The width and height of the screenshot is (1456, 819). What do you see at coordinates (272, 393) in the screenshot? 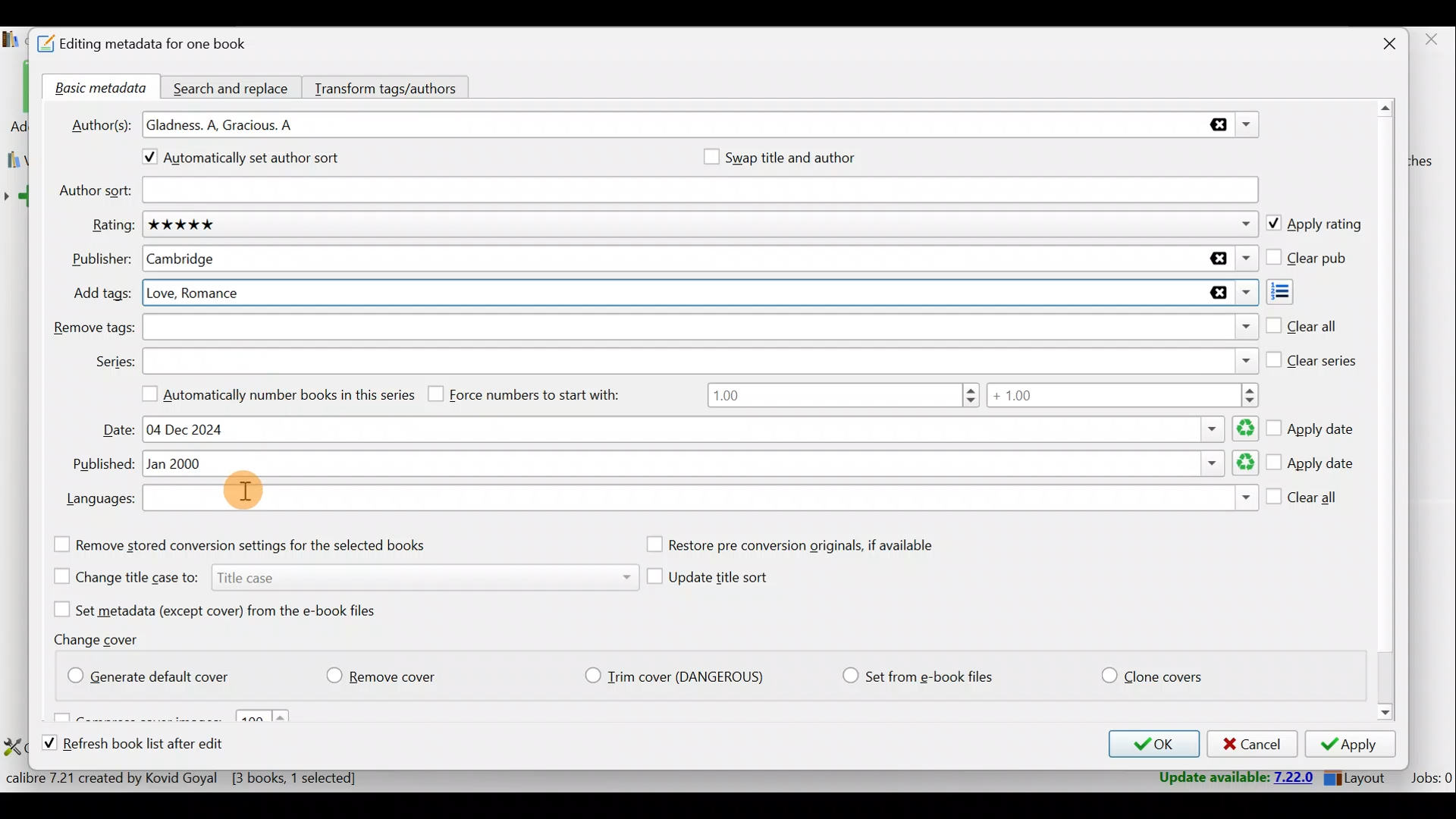
I see `Automatically number books in this series` at bounding box center [272, 393].